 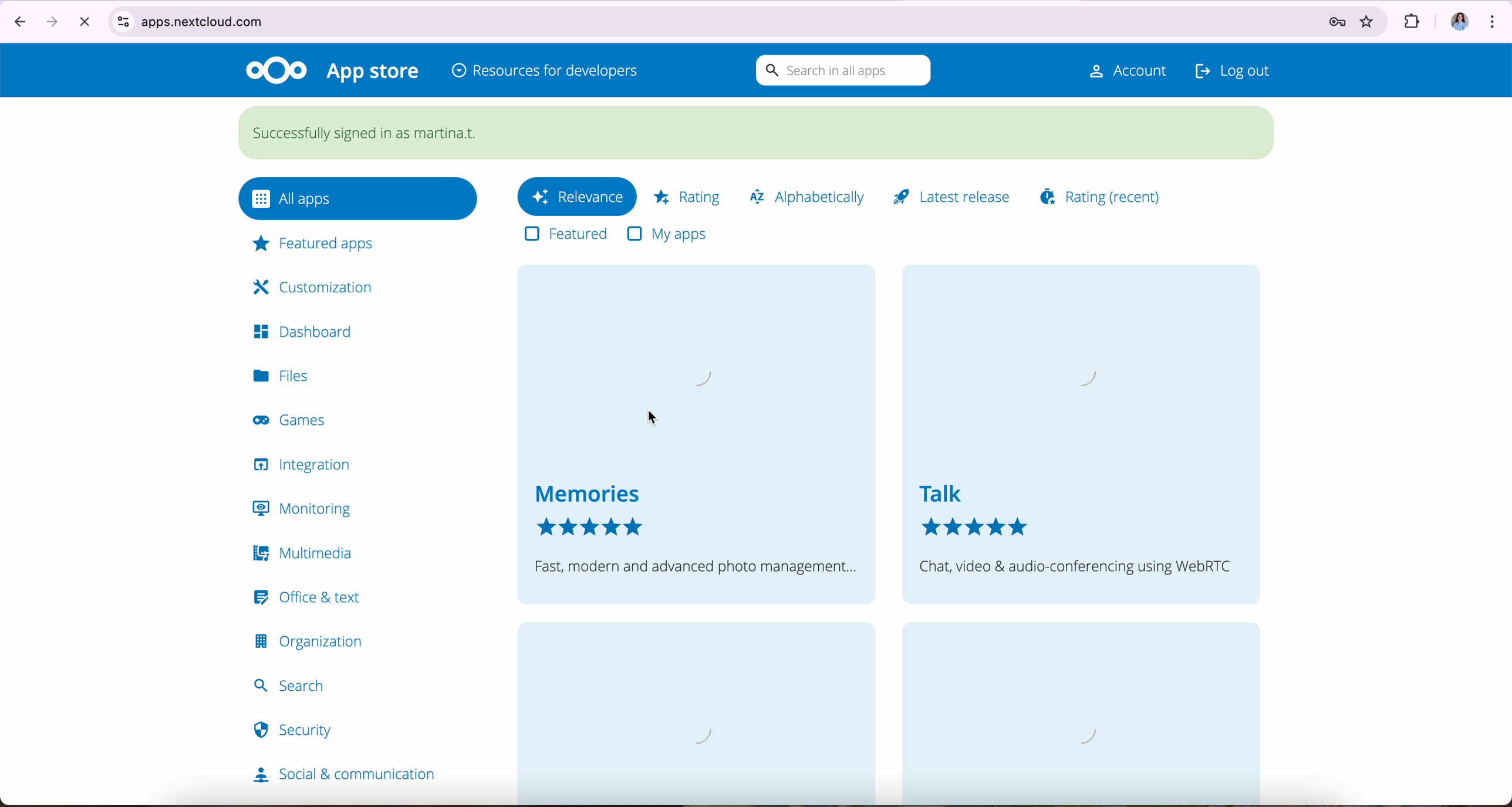 I want to click on customize and control Google Chrome, so click(x=1497, y=21).